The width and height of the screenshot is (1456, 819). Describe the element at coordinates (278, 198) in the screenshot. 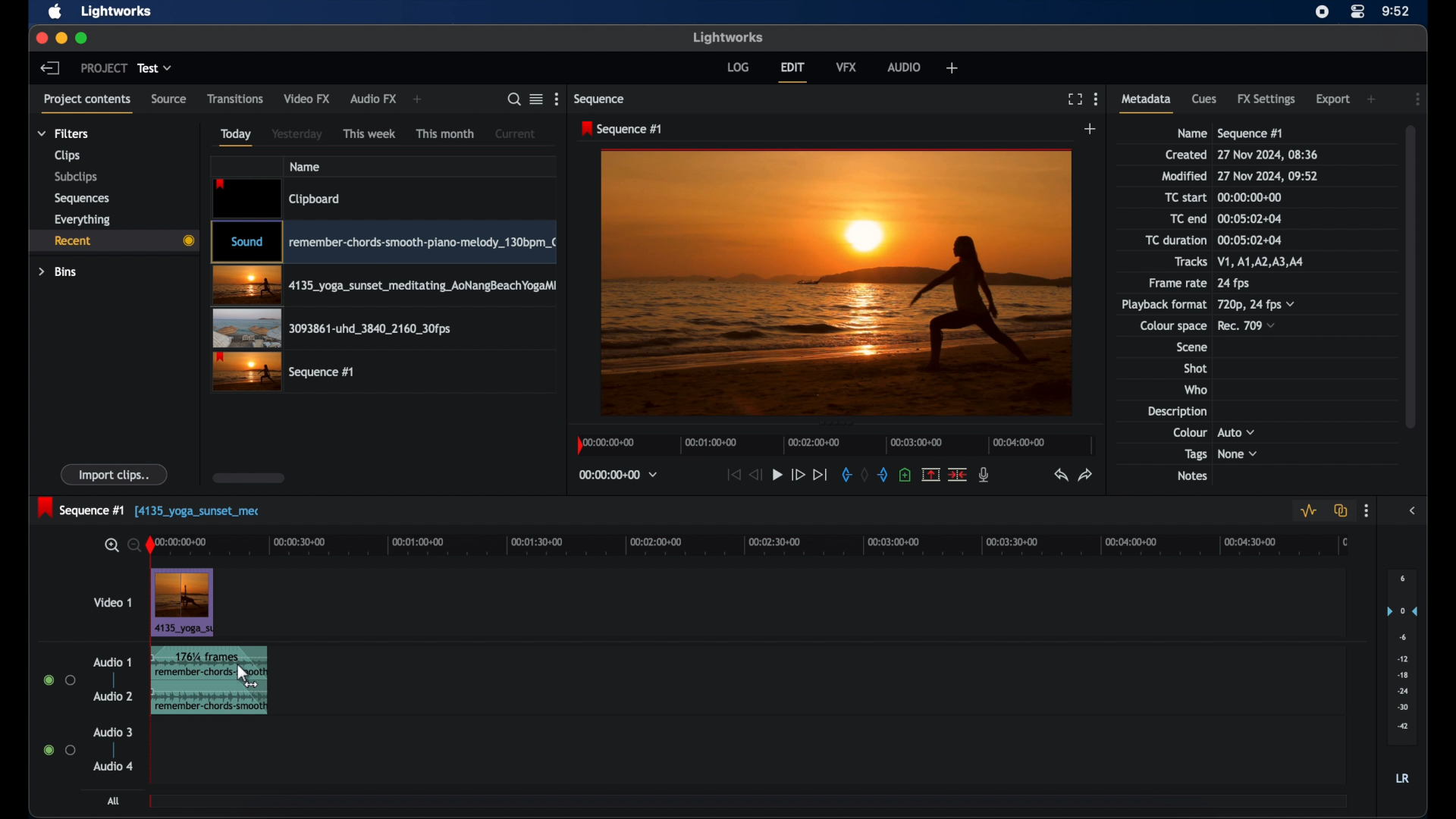

I see `video clip` at that location.